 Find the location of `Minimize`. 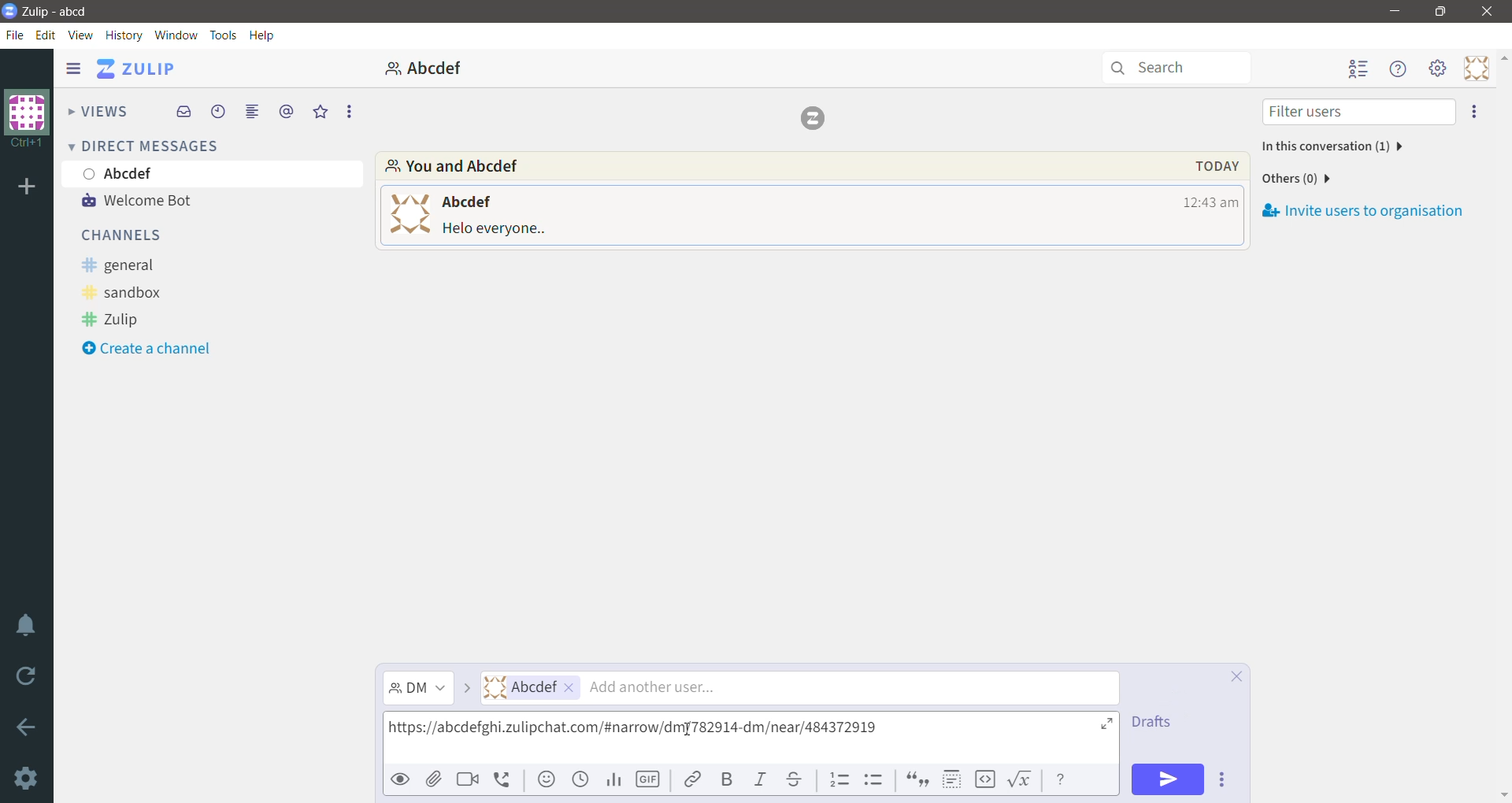

Minimize is located at coordinates (1396, 11).